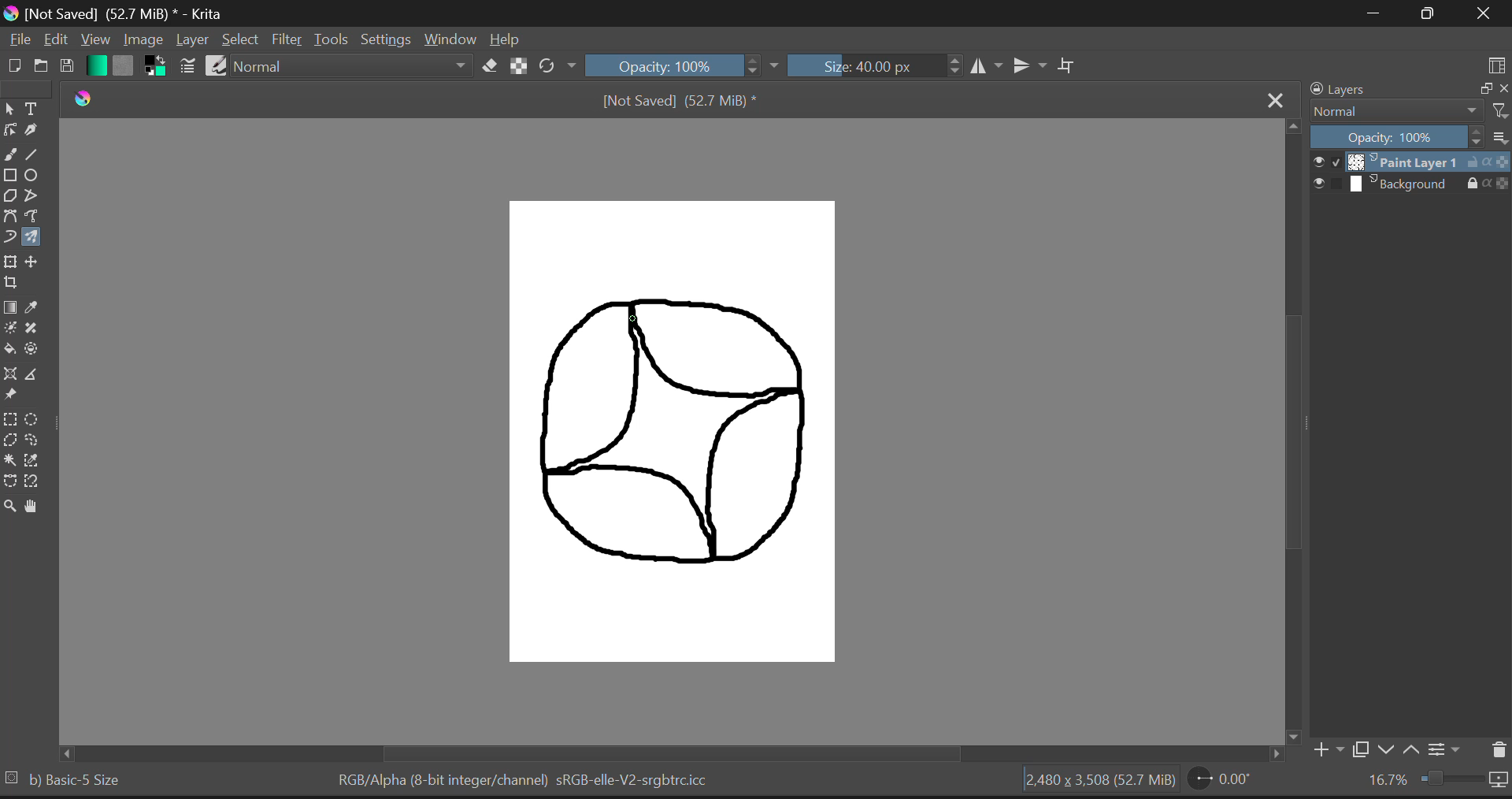 This screenshot has width=1512, height=799. Describe the element at coordinates (9, 195) in the screenshot. I see `Polygons` at that location.